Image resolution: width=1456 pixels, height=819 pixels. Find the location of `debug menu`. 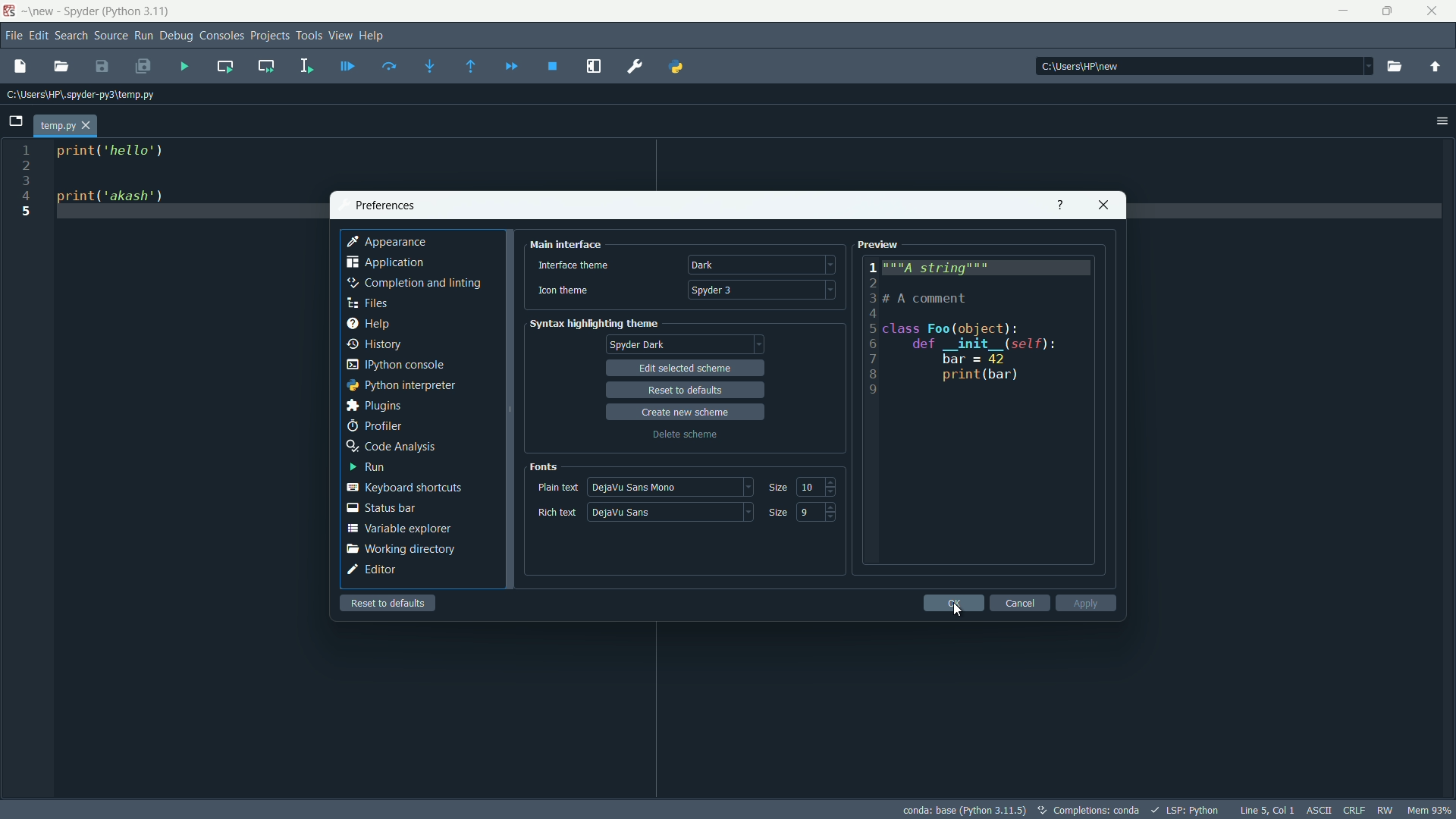

debug menu is located at coordinates (177, 37).